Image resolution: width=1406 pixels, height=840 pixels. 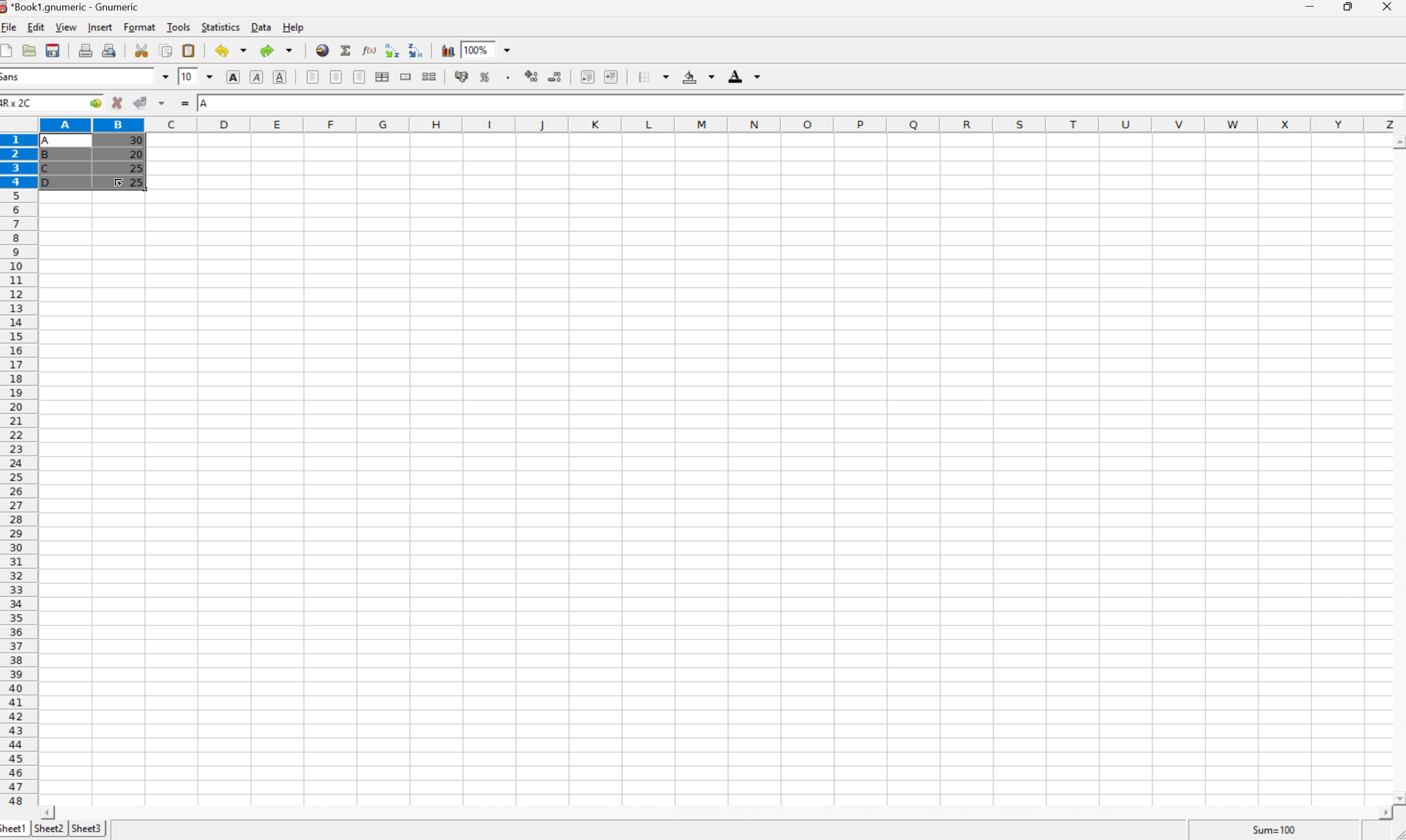 What do you see at coordinates (1388, 7) in the screenshot?
I see `Close` at bounding box center [1388, 7].